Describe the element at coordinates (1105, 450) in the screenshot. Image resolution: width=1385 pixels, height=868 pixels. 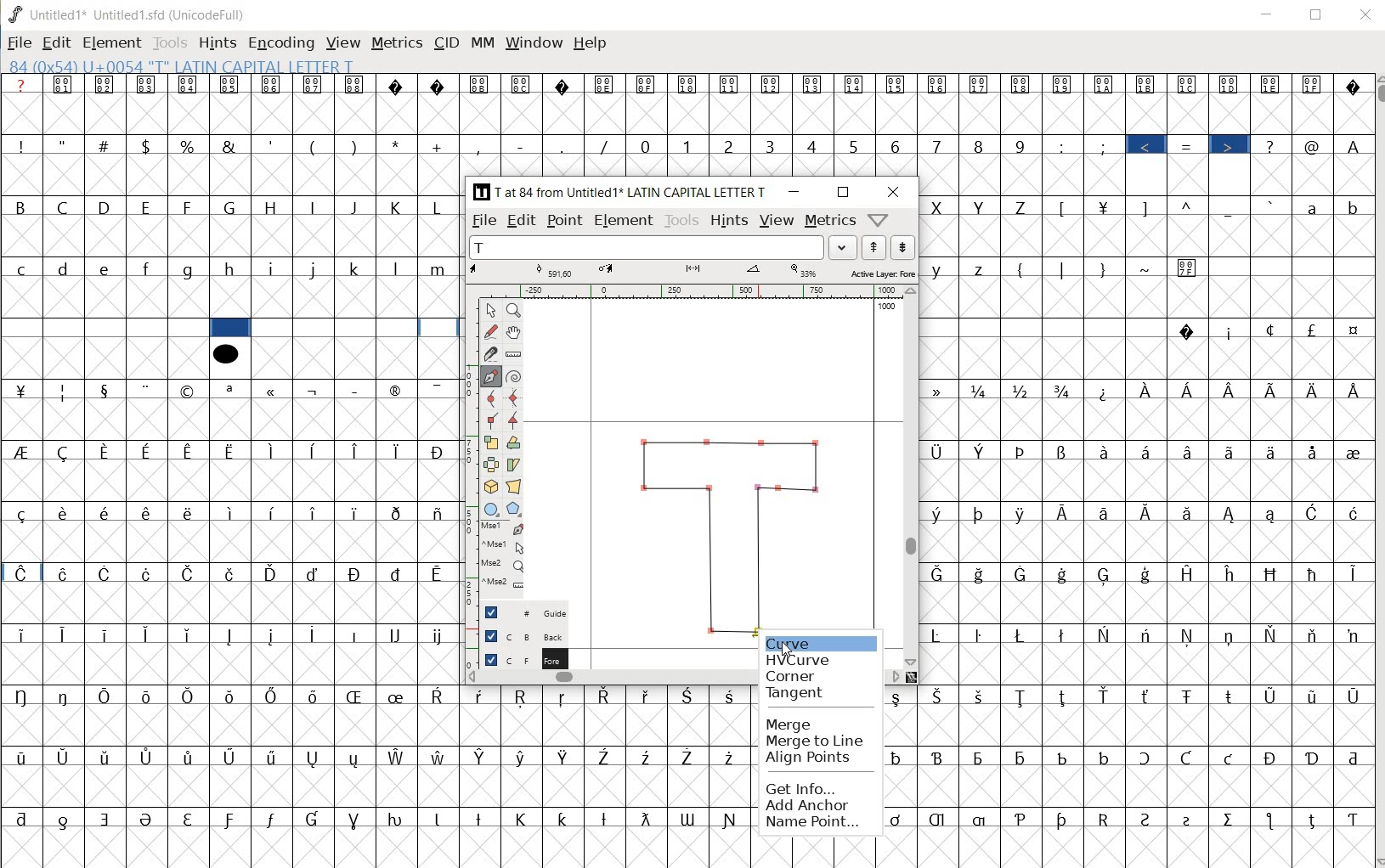
I see `Symbol` at that location.